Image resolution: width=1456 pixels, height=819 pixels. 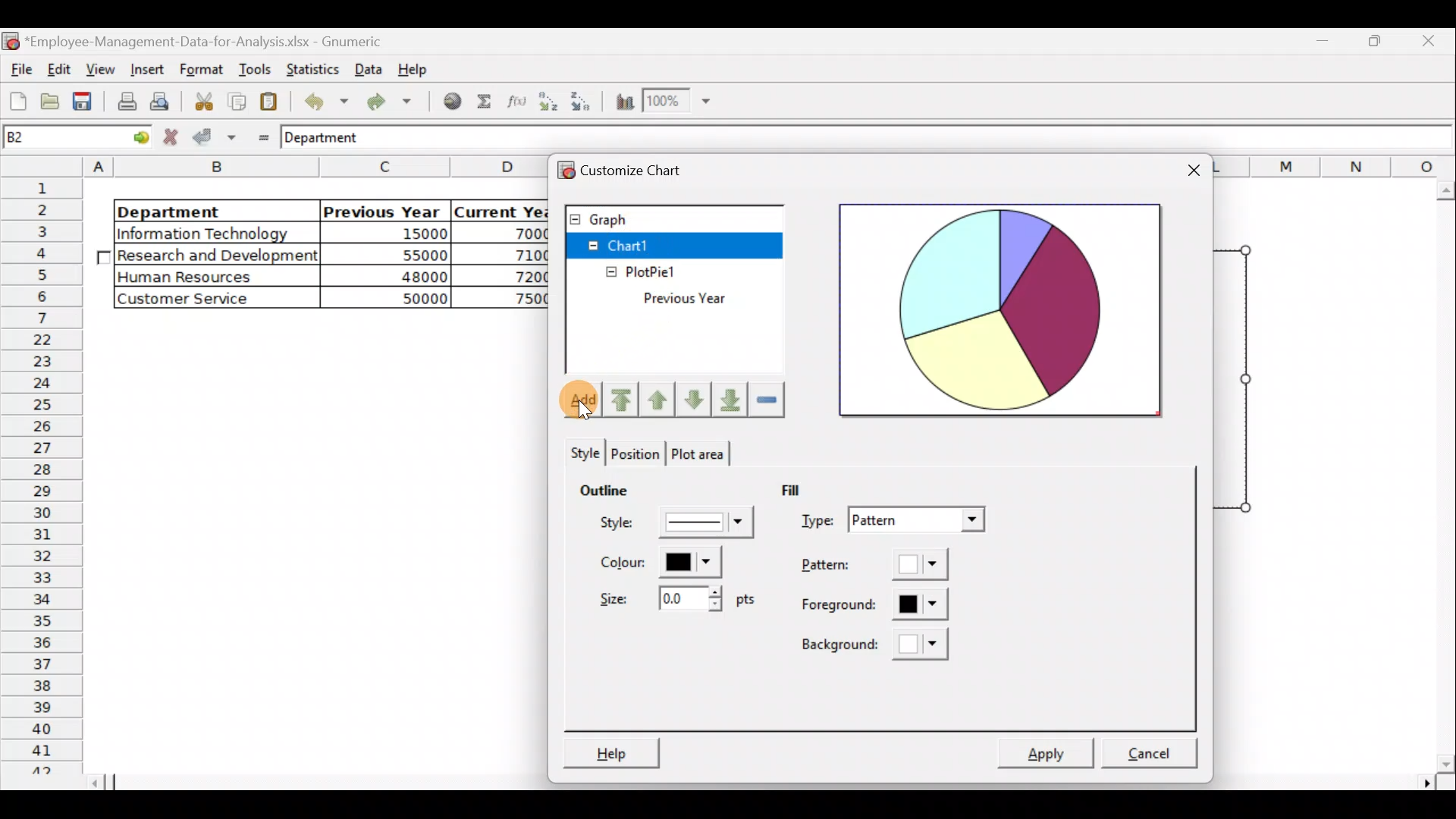 What do you see at coordinates (670, 521) in the screenshot?
I see `Style` at bounding box center [670, 521].